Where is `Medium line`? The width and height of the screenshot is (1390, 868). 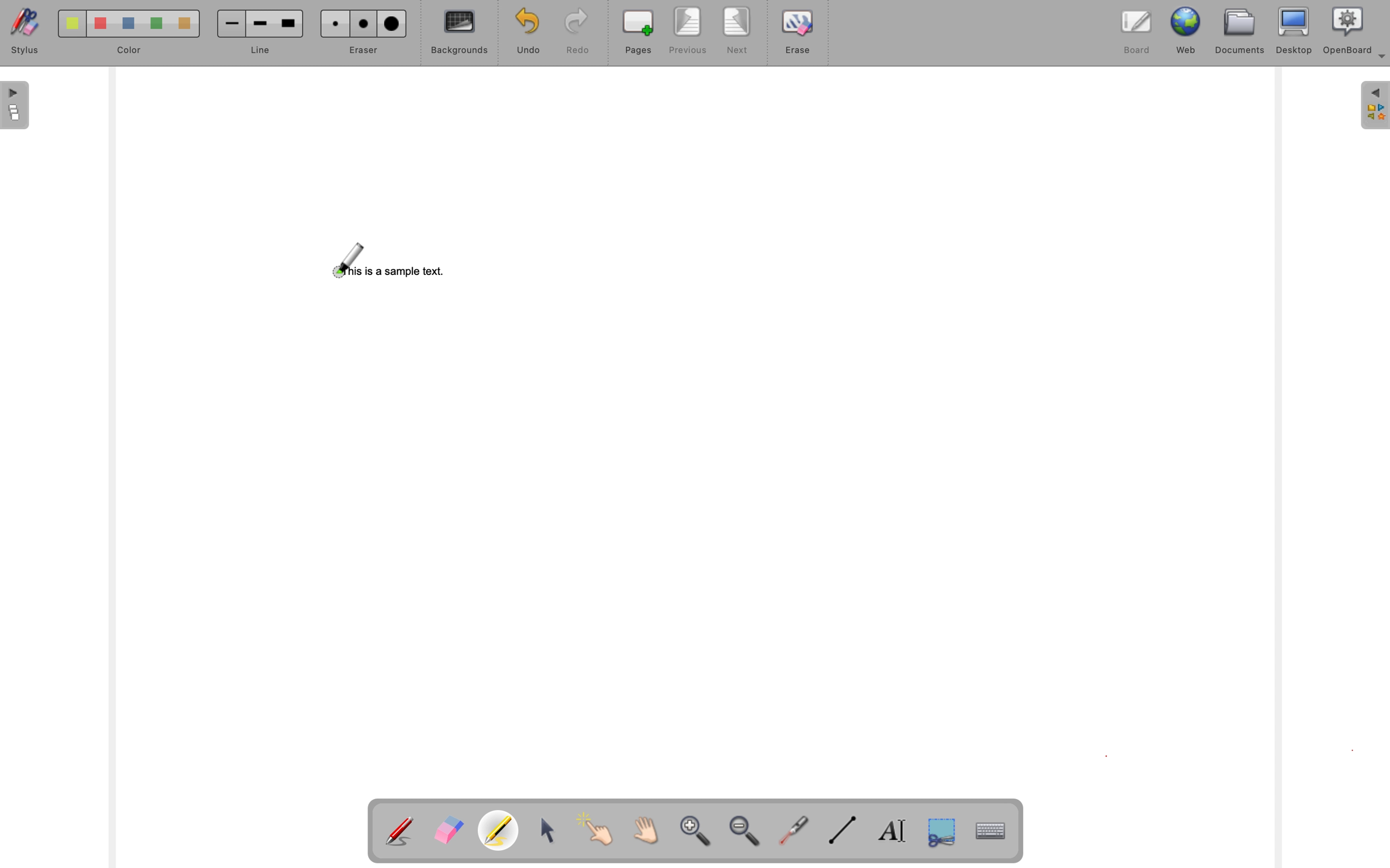 Medium line is located at coordinates (261, 24).